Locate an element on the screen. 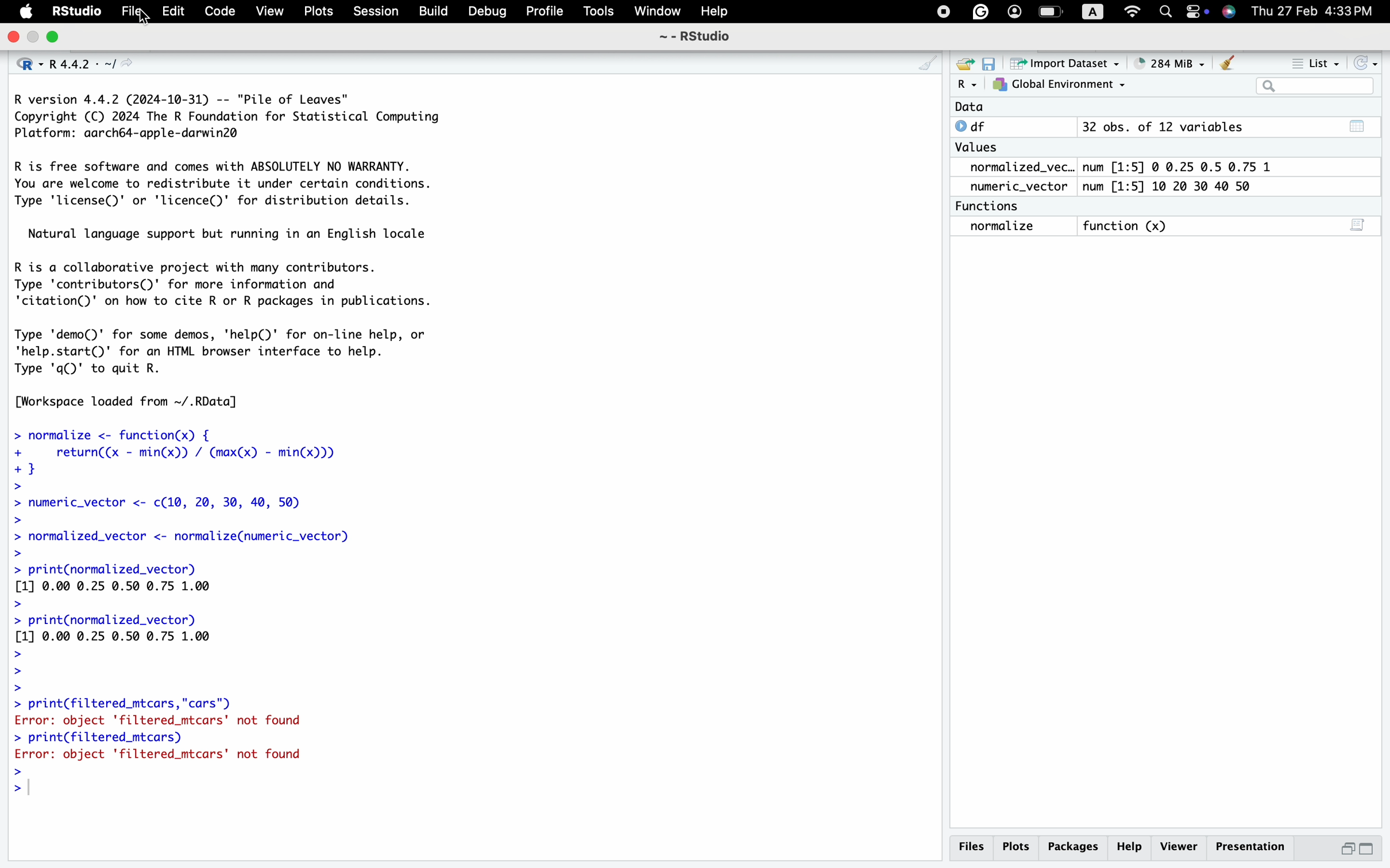 The image size is (1390, 868). apple logo is located at coordinates (27, 10).